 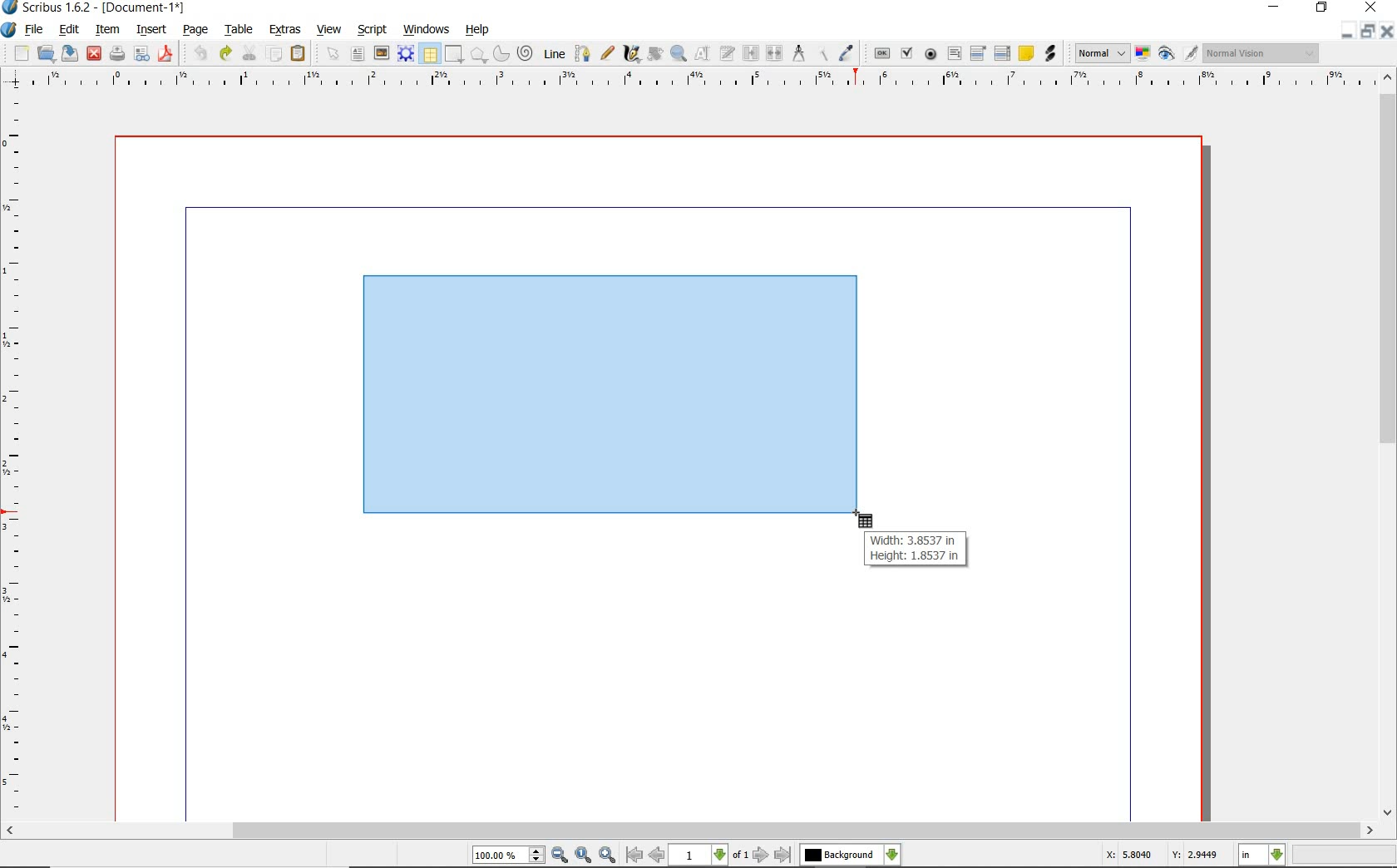 I want to click on minimize, so click(x=1345, y=32).